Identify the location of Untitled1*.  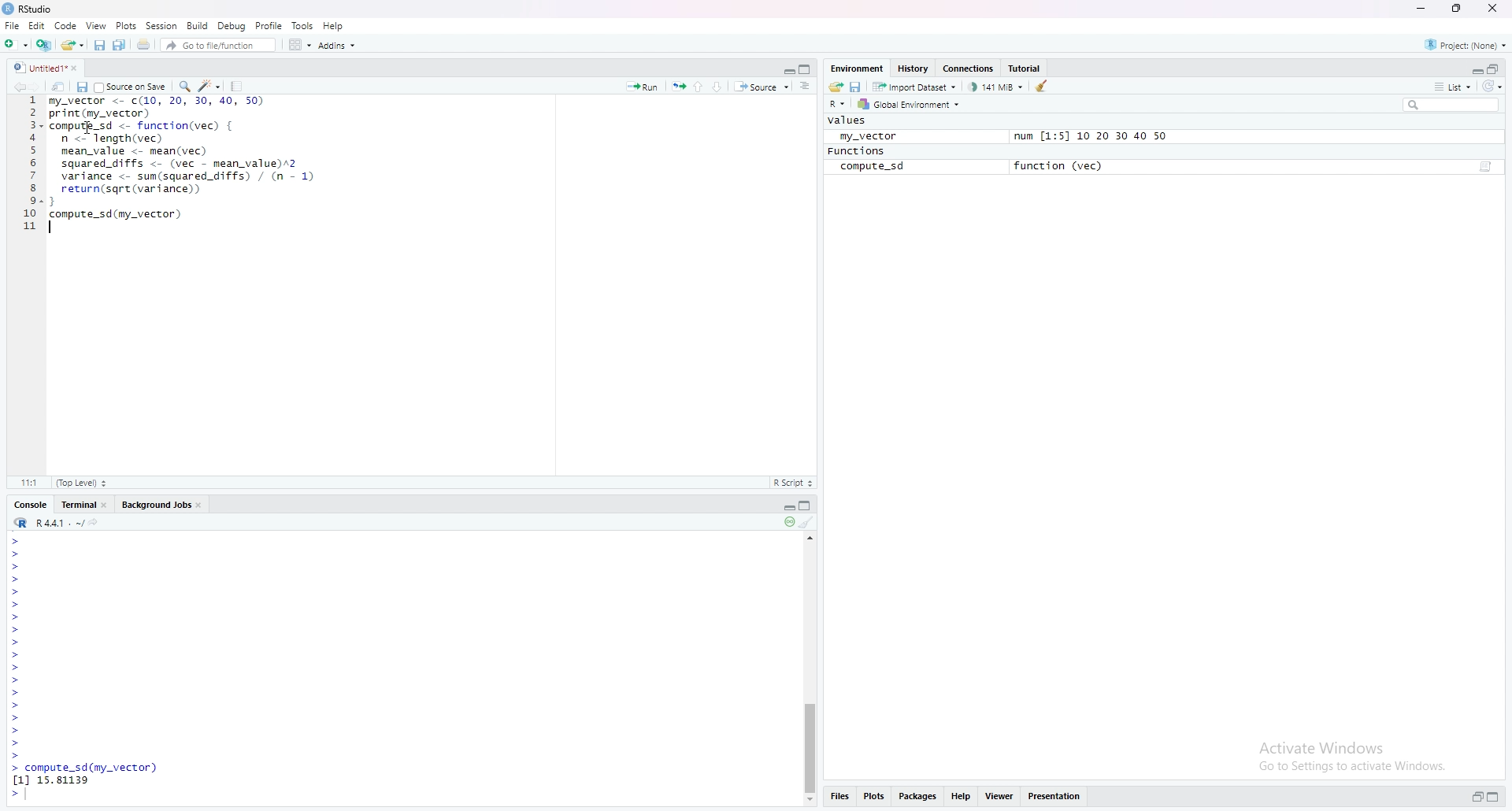
(49, 69).